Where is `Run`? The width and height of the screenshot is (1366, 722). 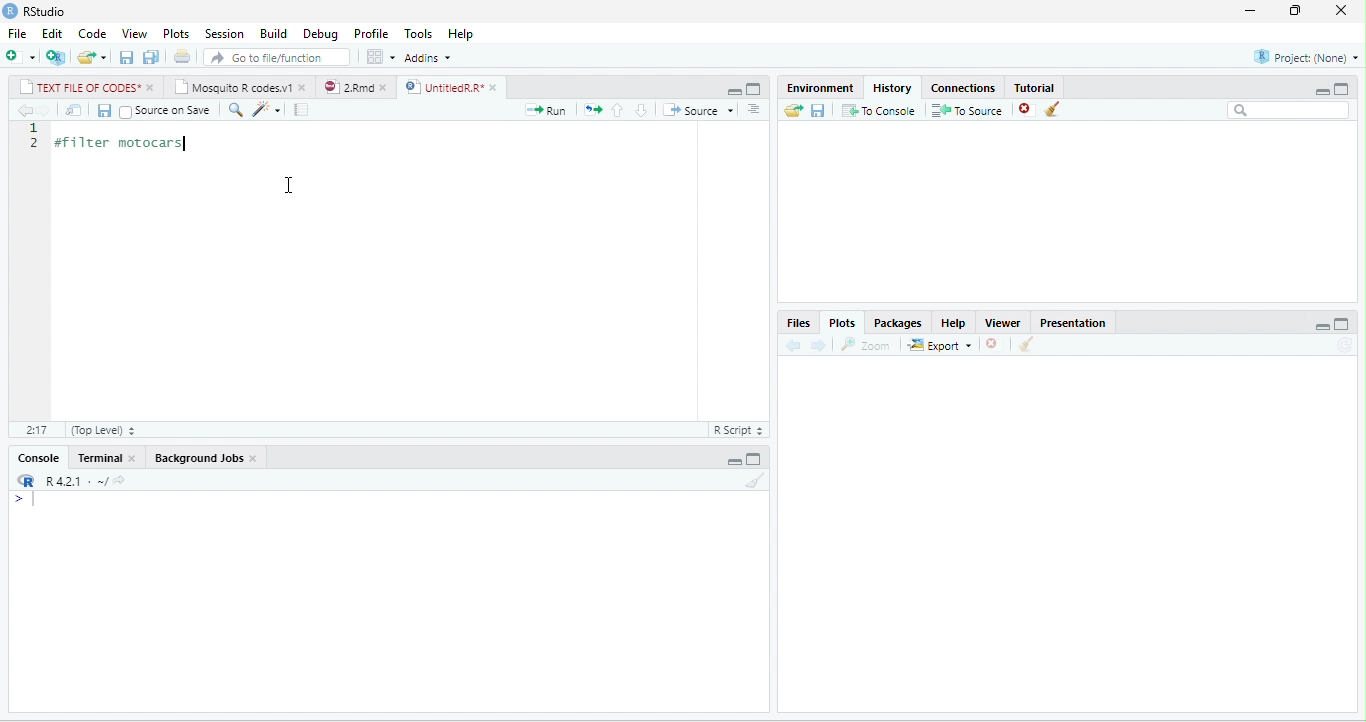
Run is located at coordinates (545, 110).